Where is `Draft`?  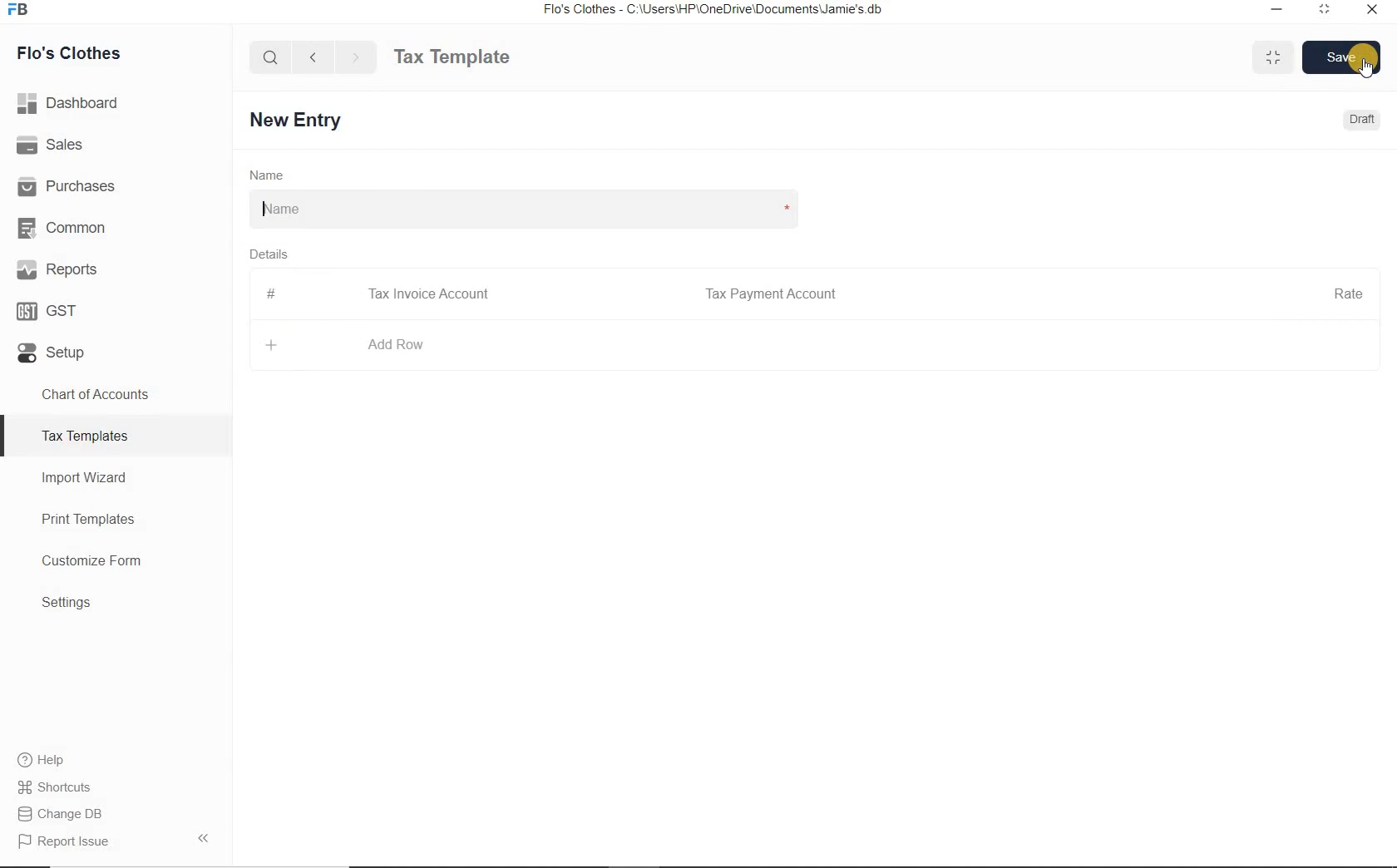 Draft is located at coordinates (1364, 119).